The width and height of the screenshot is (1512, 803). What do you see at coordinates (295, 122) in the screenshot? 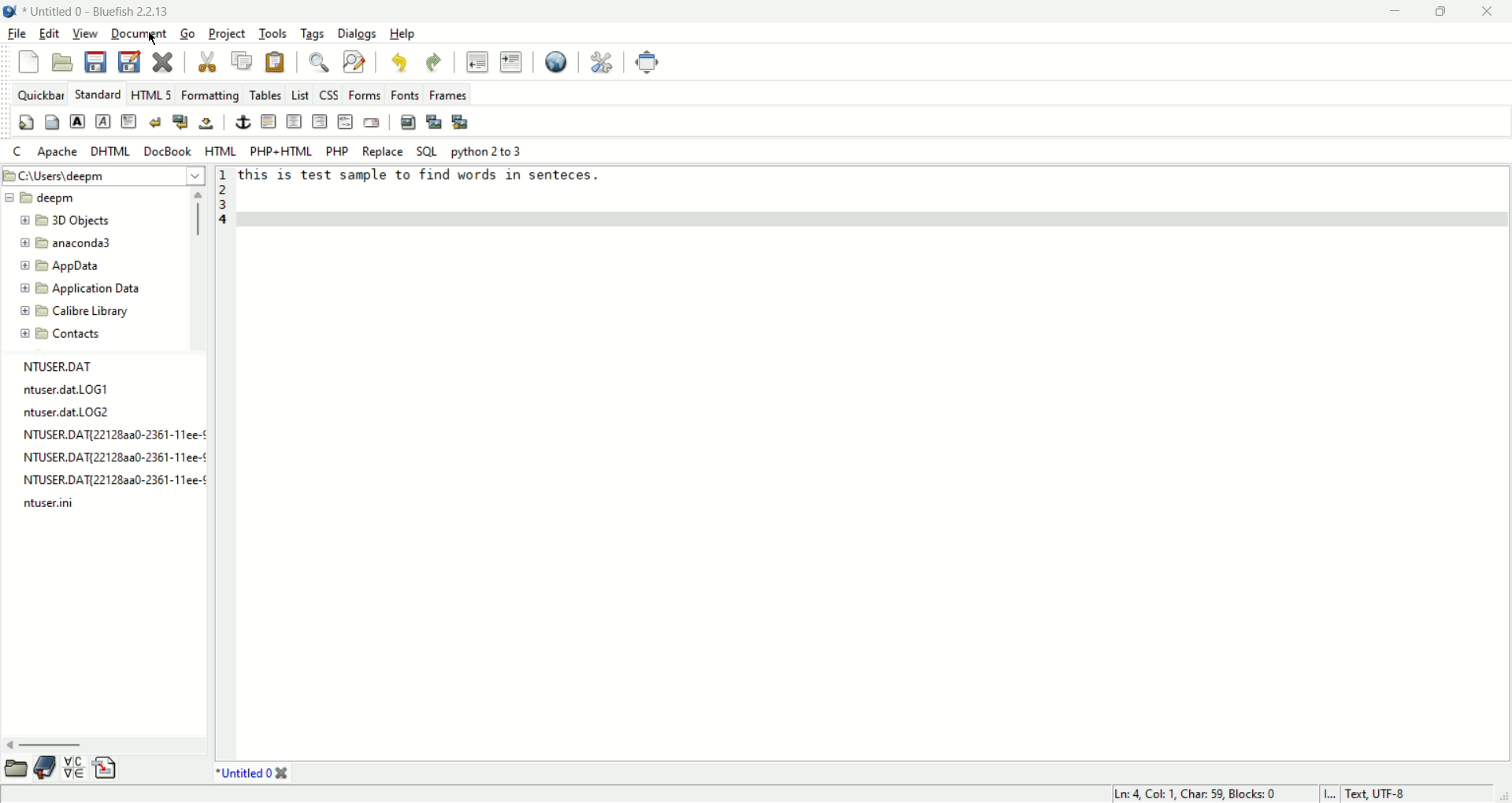
I see `center` at bounding box center [295, 122].